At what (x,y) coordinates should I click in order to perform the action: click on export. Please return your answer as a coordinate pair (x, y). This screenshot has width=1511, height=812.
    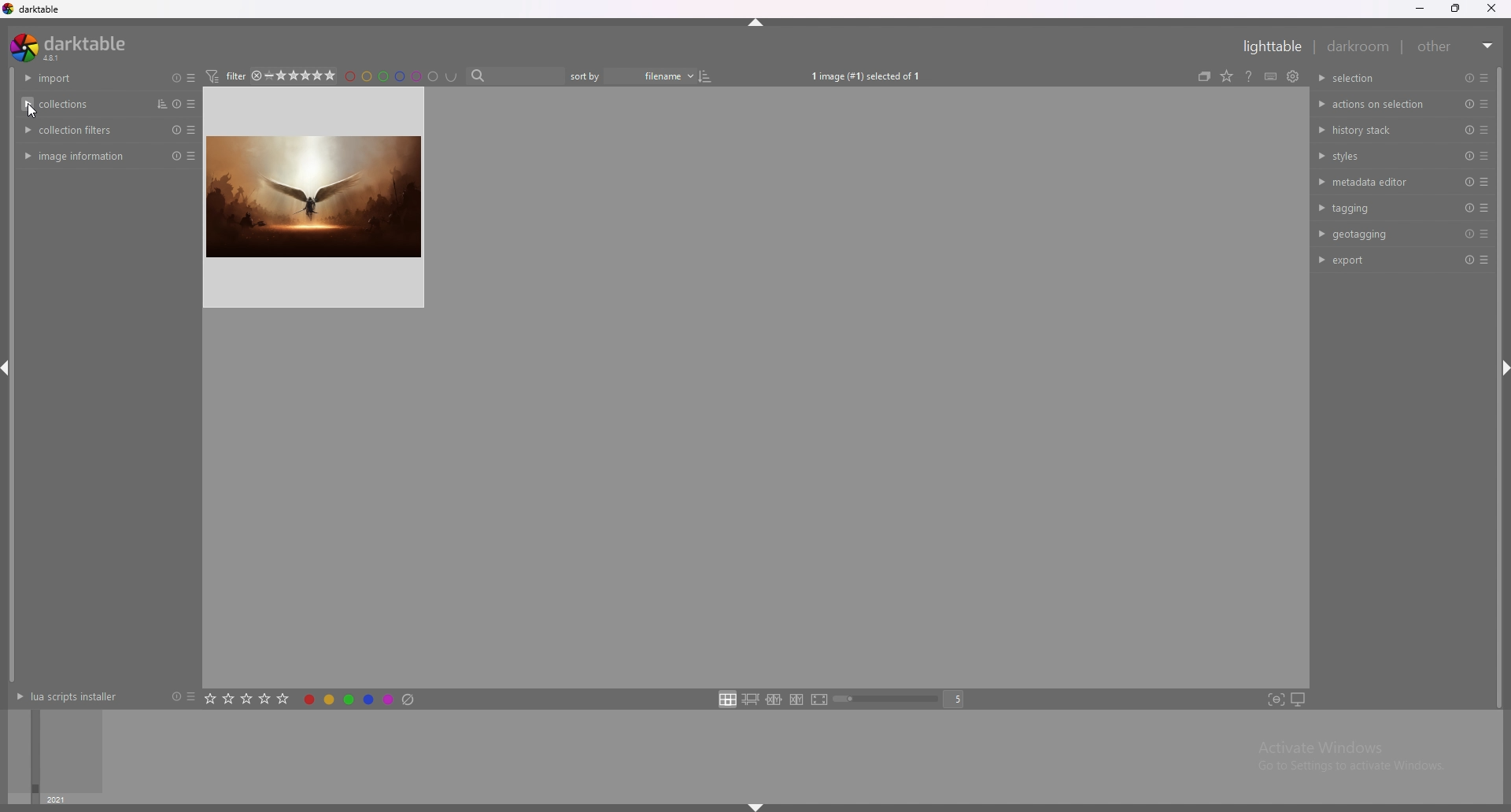
    Looking at the image, I should click on (1376, 260).